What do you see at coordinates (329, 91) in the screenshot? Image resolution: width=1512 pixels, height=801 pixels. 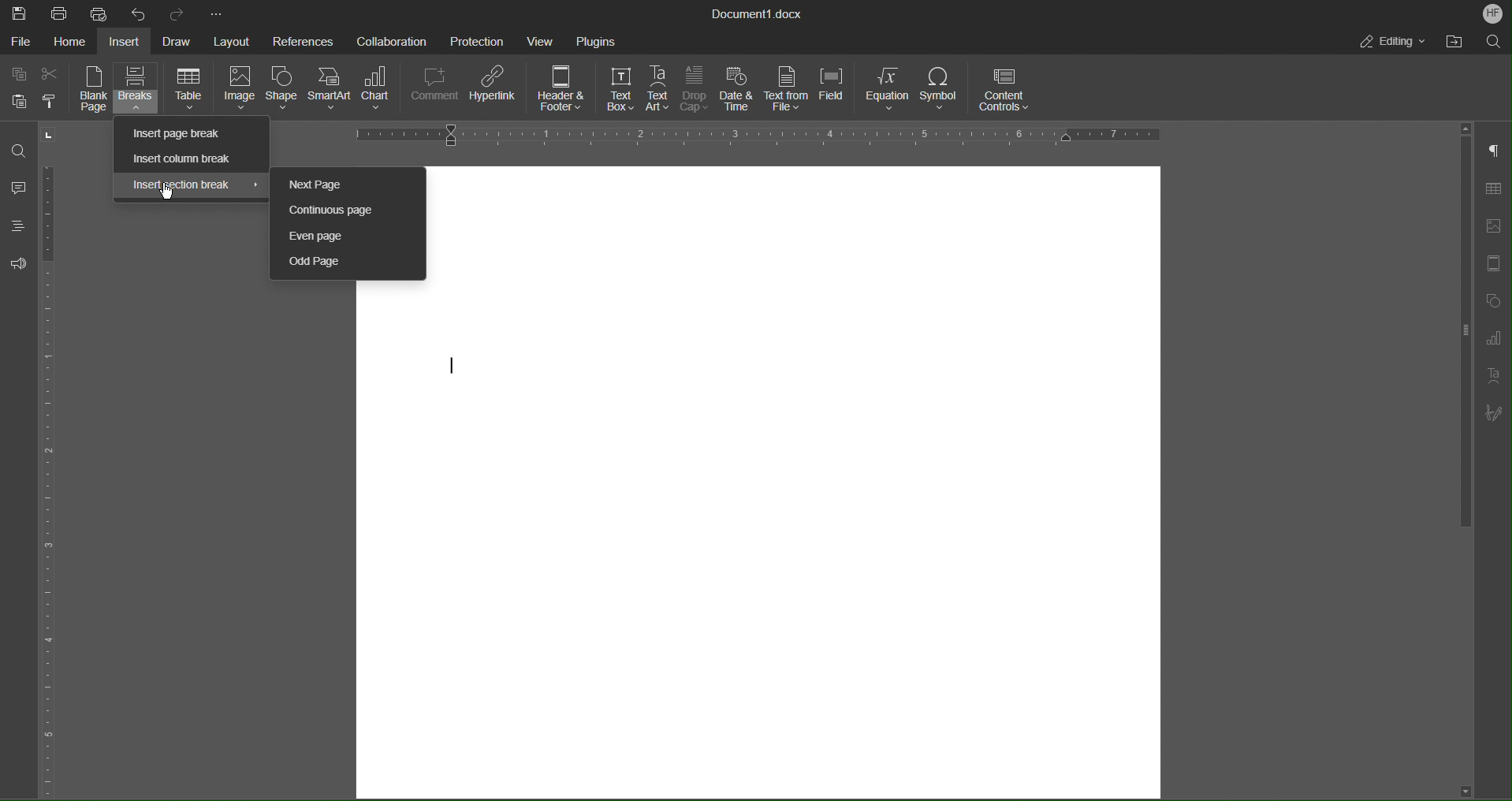 I see `SmartArt` at bounding box center [329, 91].